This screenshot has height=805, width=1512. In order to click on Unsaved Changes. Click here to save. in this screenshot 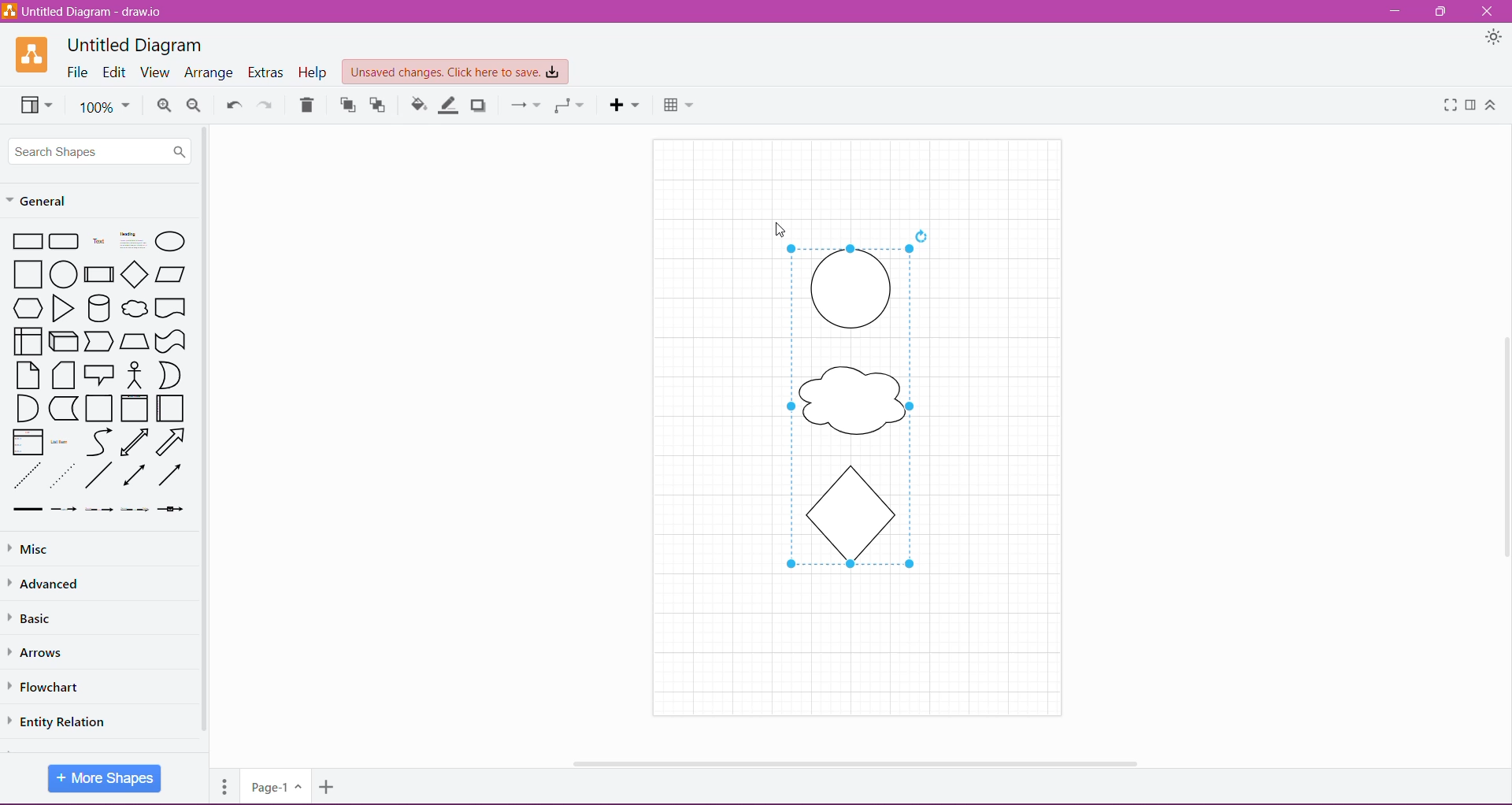, I will do `click(456, 72)`.